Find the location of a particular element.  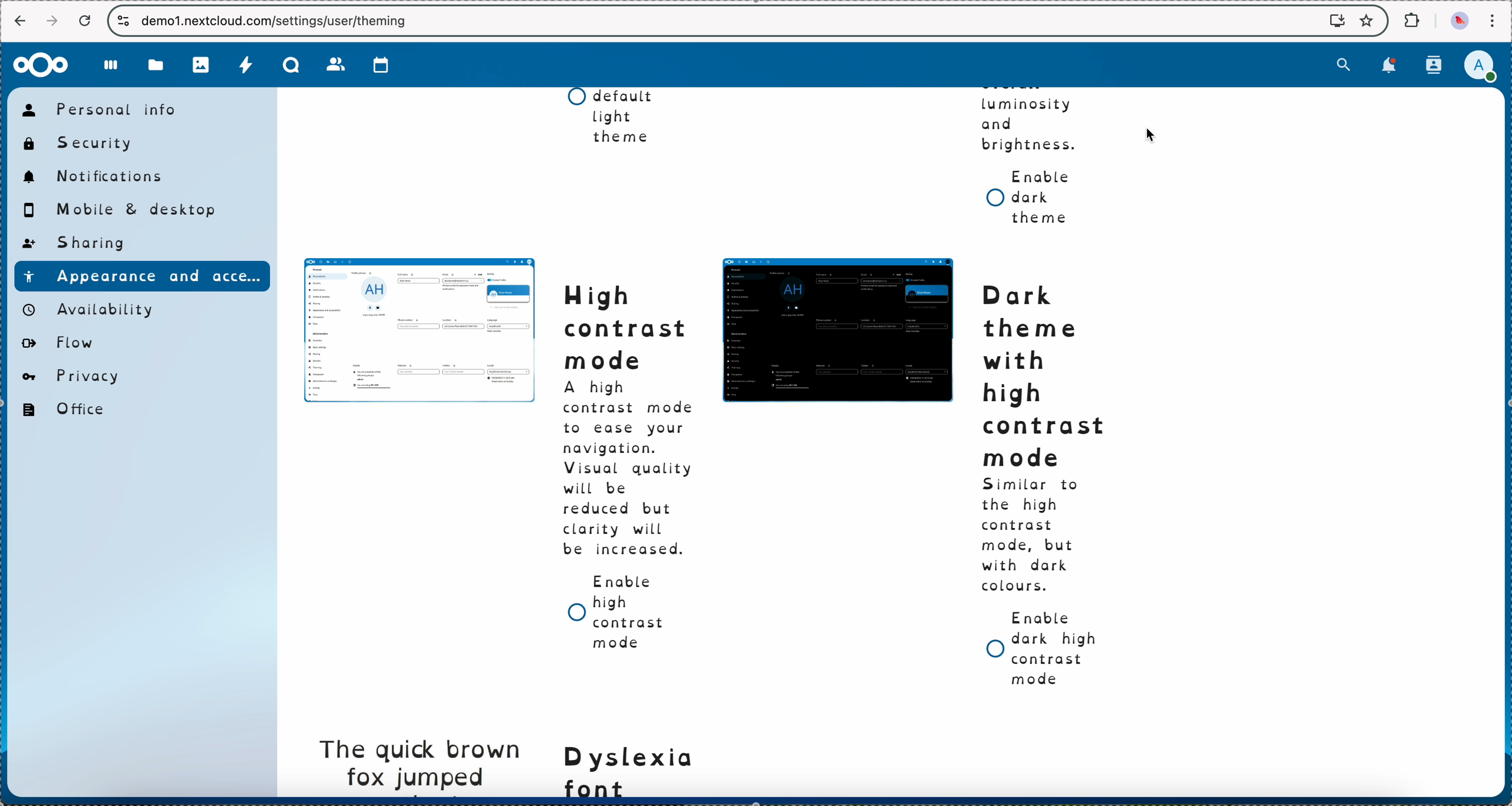

dashboard is located at coordinates (113, 67).